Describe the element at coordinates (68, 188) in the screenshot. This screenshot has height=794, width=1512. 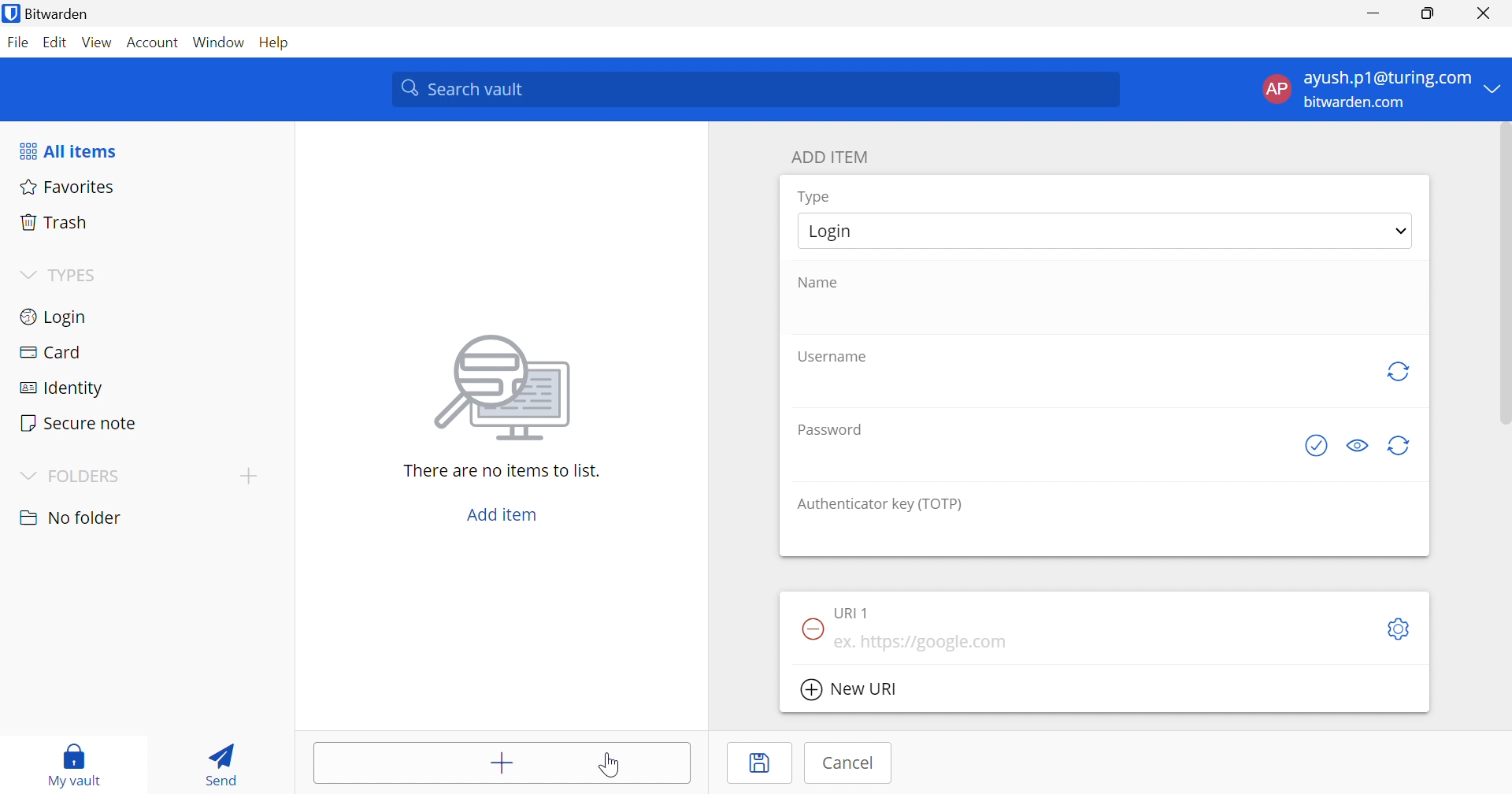
I see `Favorites` at that location.